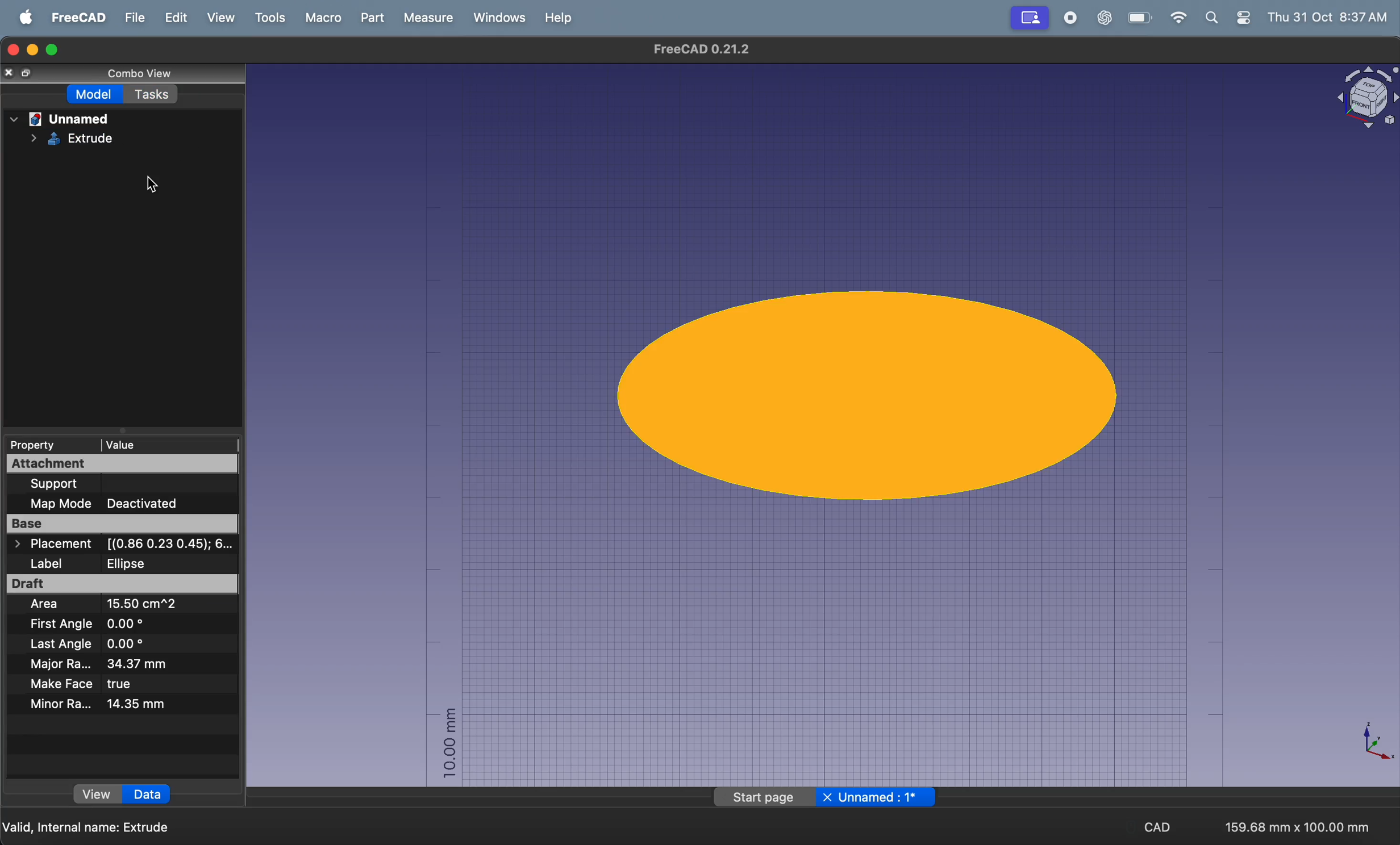 The height and width of the screenshot is (845, 1400). Describe the element at coordinates (1068, 19) in the screenshot. I see `record` at that location.